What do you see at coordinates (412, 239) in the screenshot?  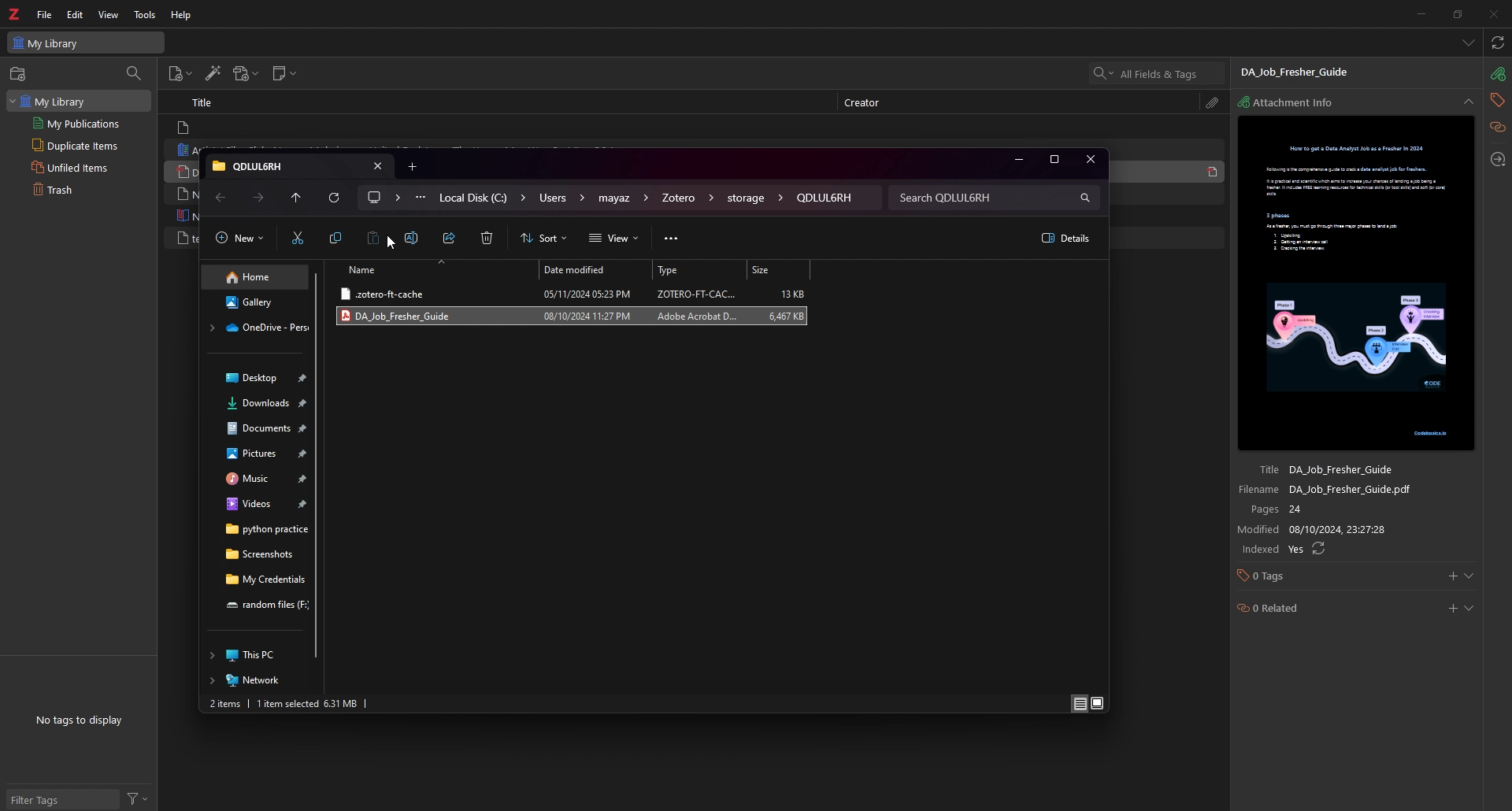 I see `rename` at bounding box center [412, 239].